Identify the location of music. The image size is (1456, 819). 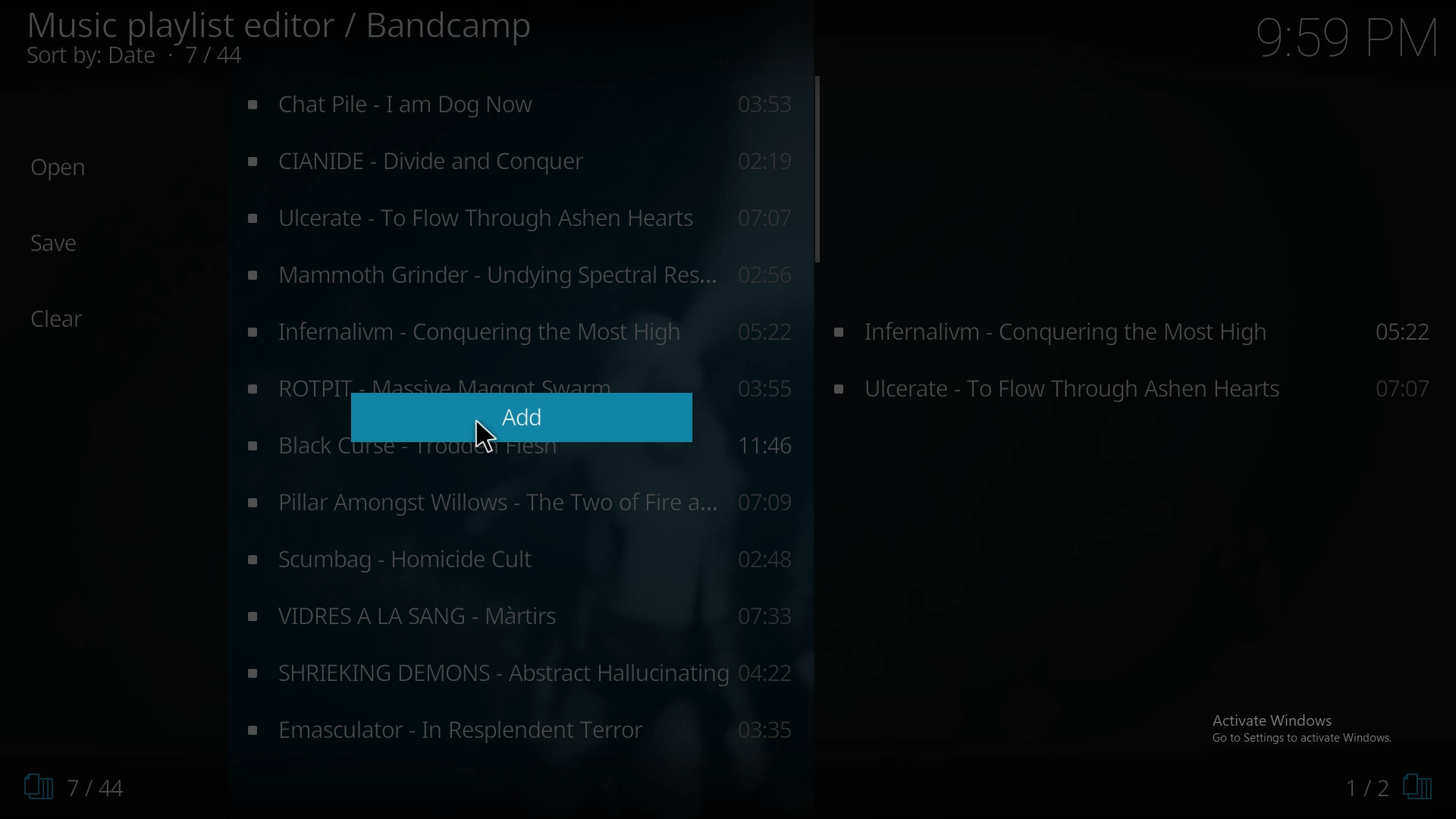
(520, 162).